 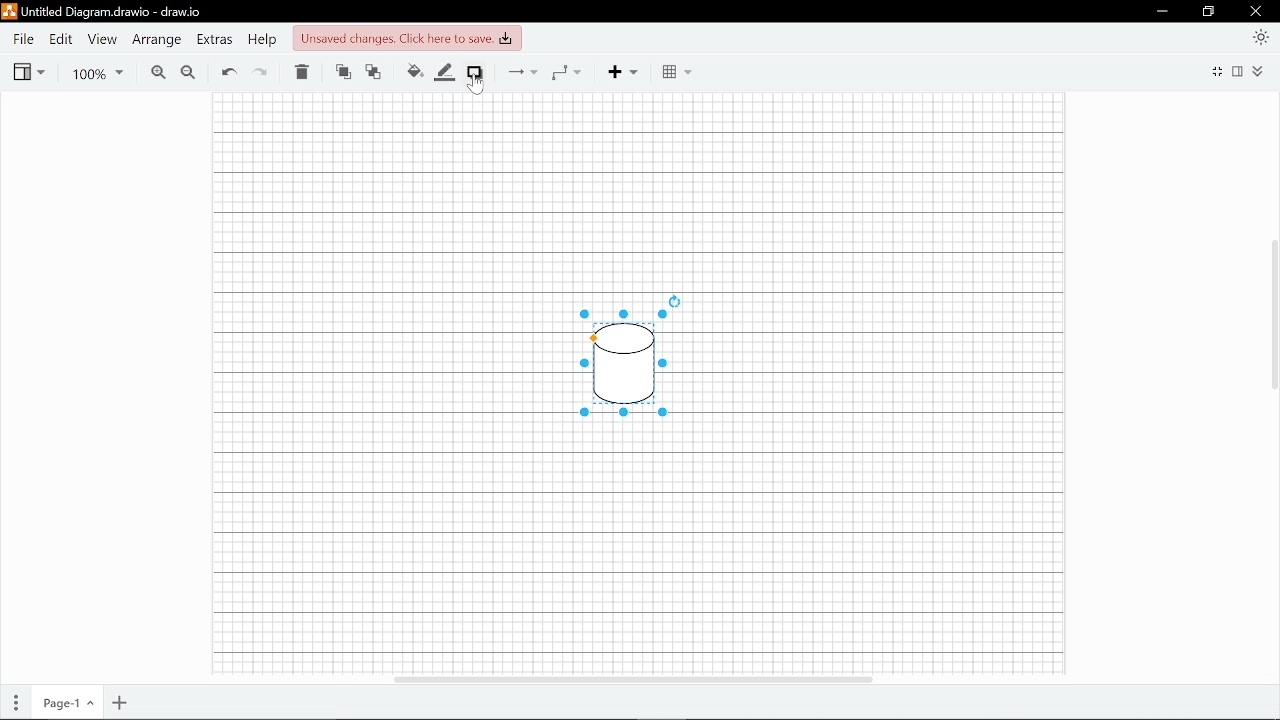 I want to click on View, so click(x=101, y=40).